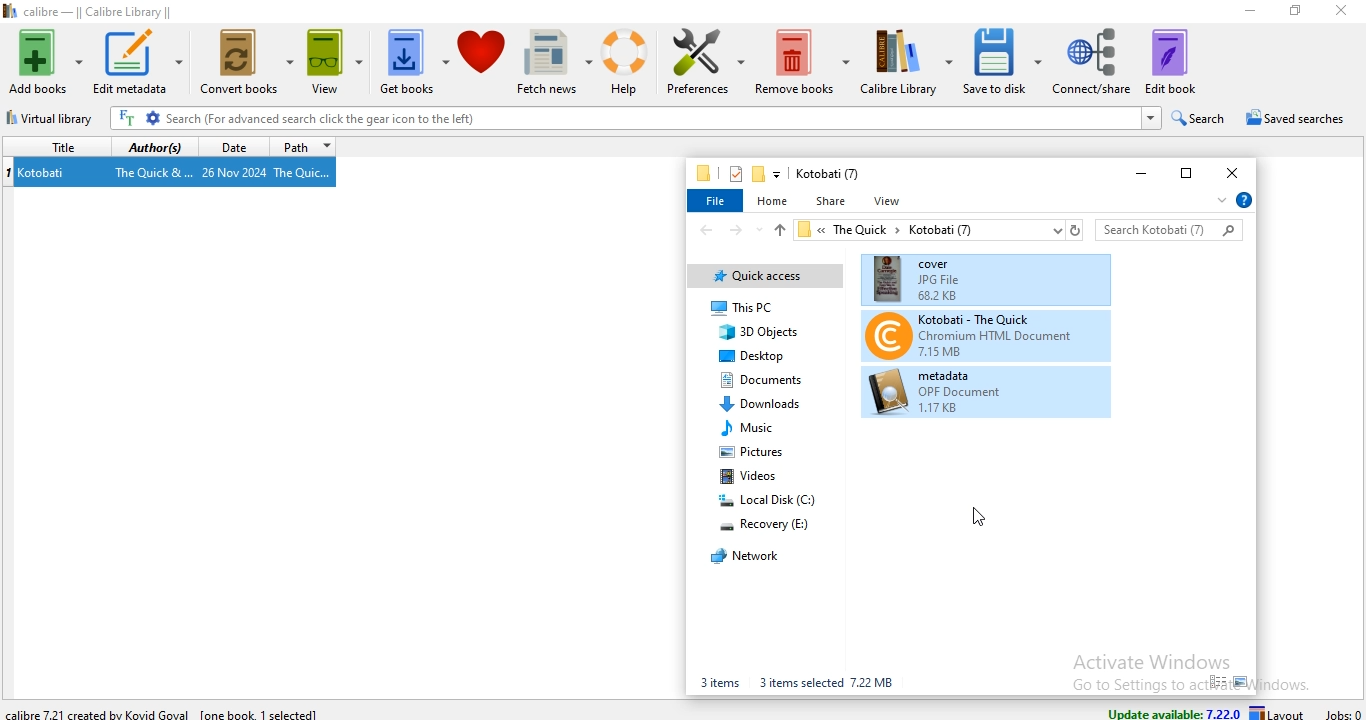  What do you see at coordinates (337, 63) in the screenshot?
I see `view` at bounding box center [337, 63].